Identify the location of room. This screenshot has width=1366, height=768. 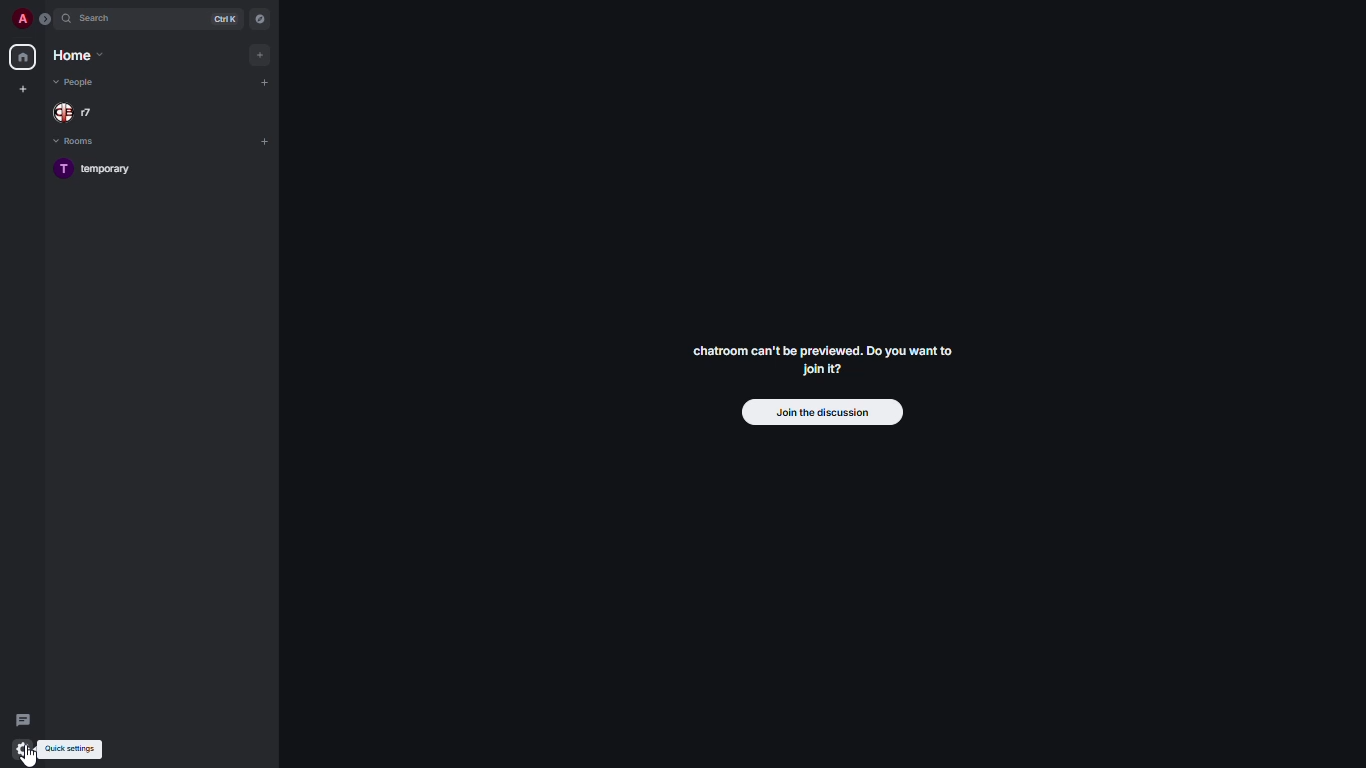
(102, 171).